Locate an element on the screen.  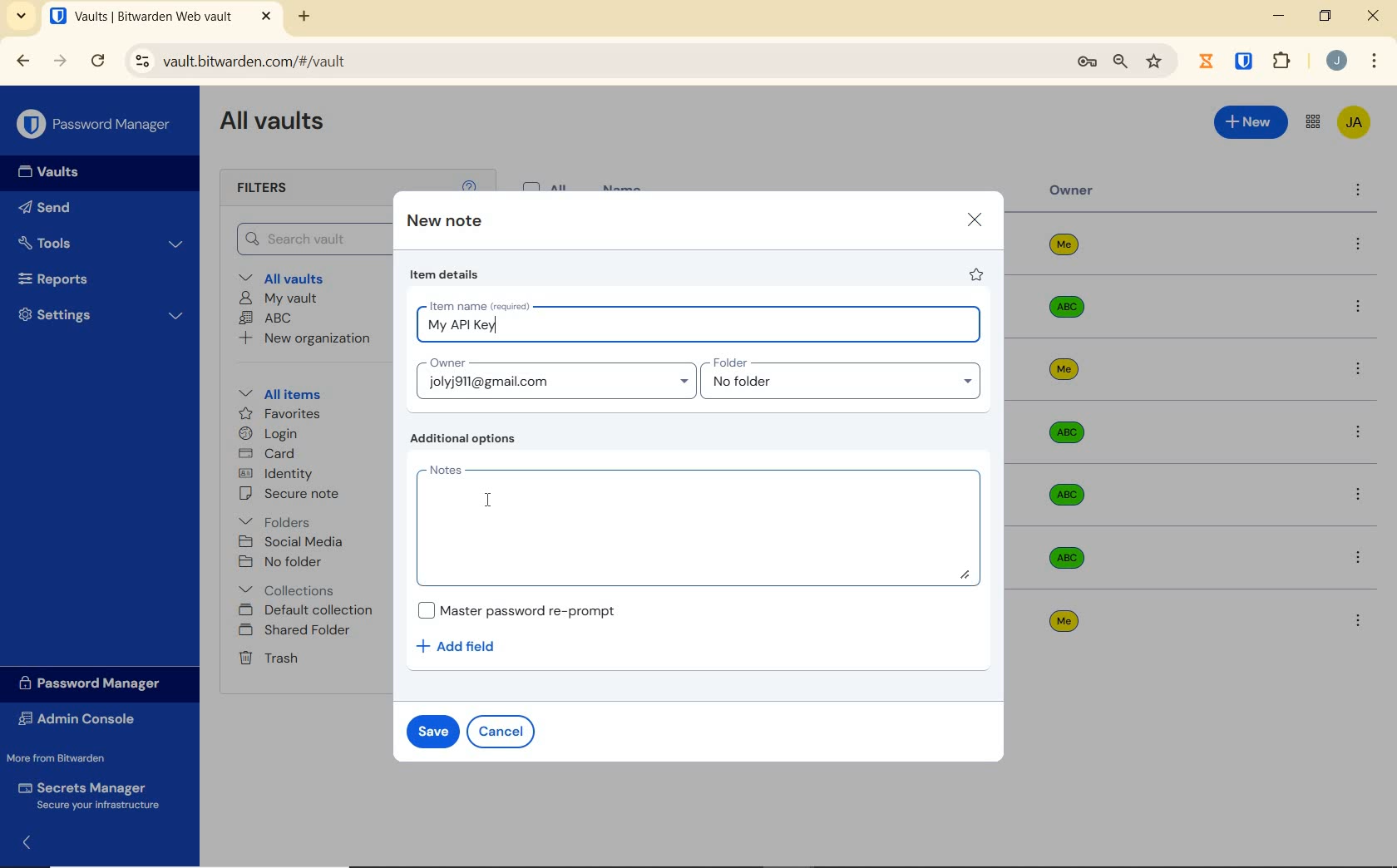
cursor is located at coordinates (488, 499).